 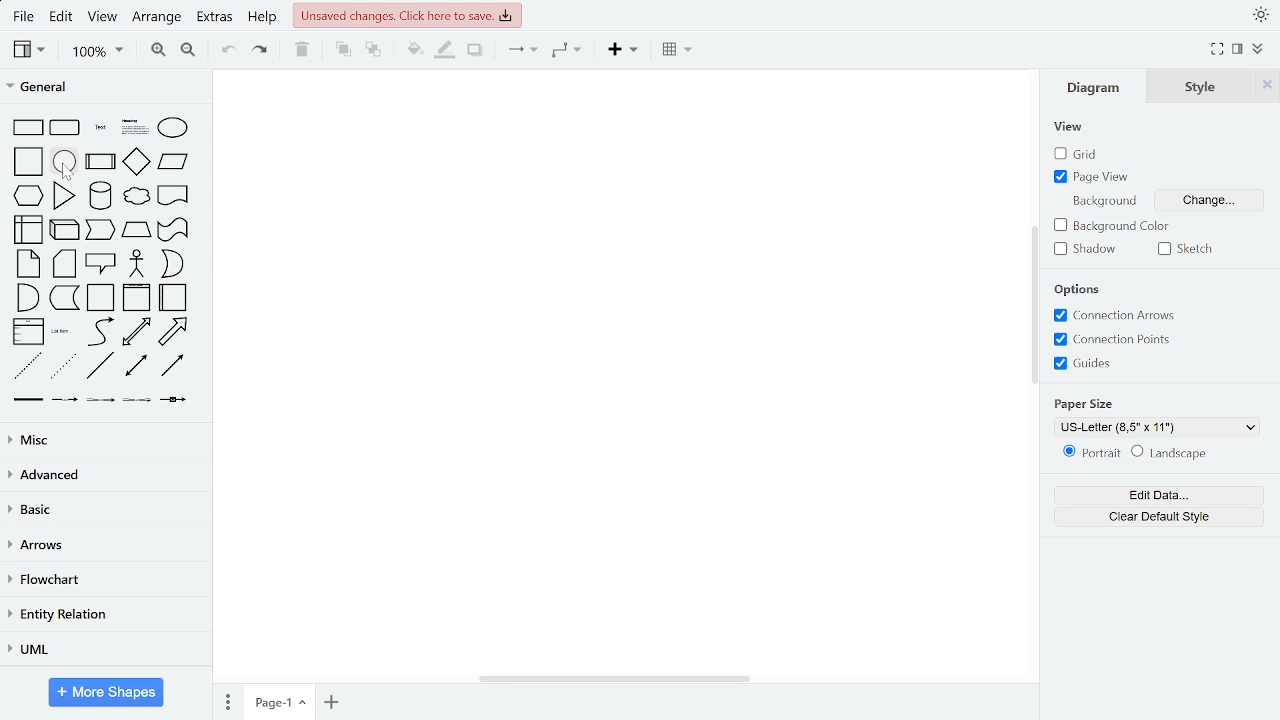 What do you see at coordinates (1101, 87) in the screenshot?
I see `diagram` at bounding box center [1101, 87].